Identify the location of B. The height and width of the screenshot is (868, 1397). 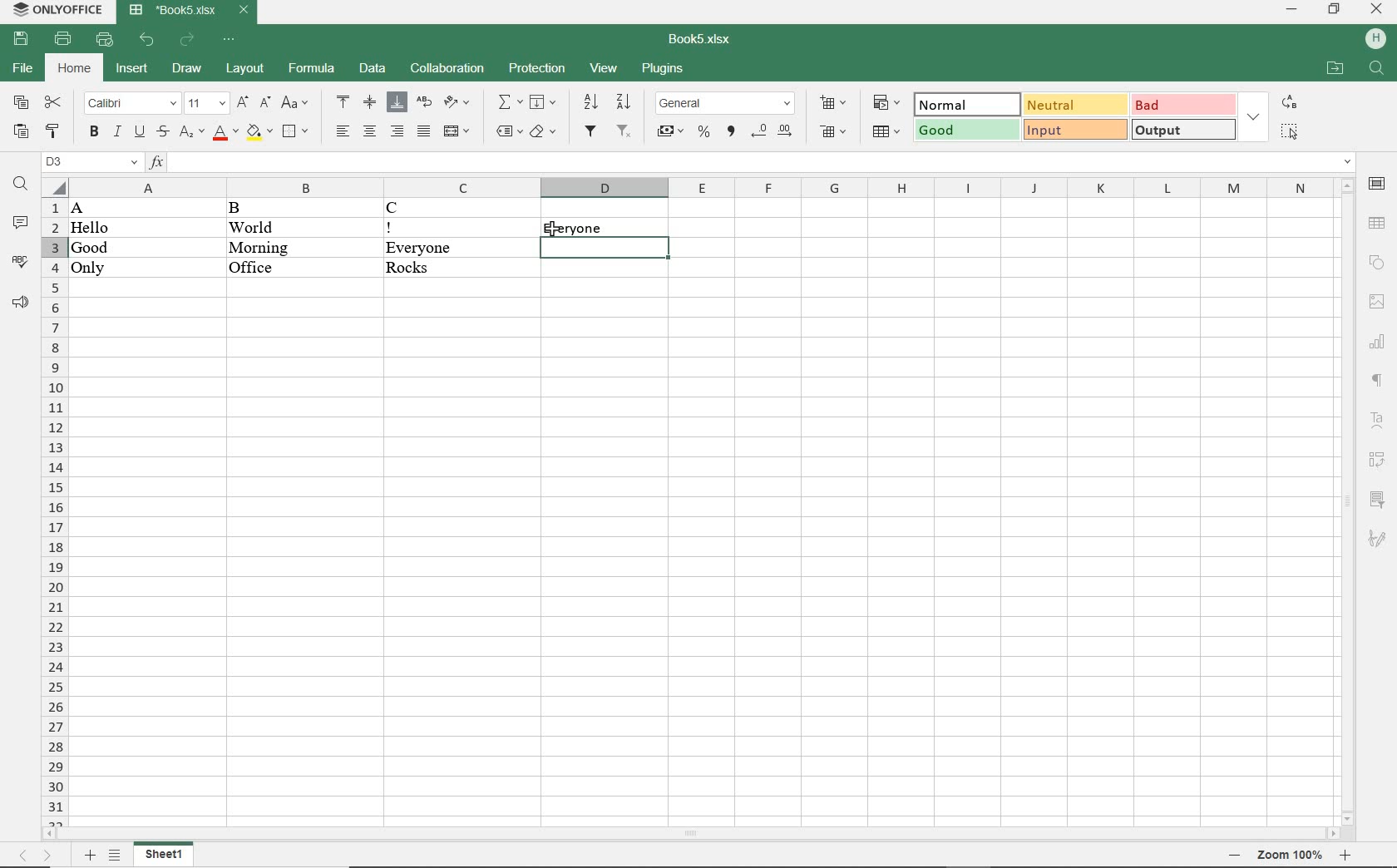
(250, 209).